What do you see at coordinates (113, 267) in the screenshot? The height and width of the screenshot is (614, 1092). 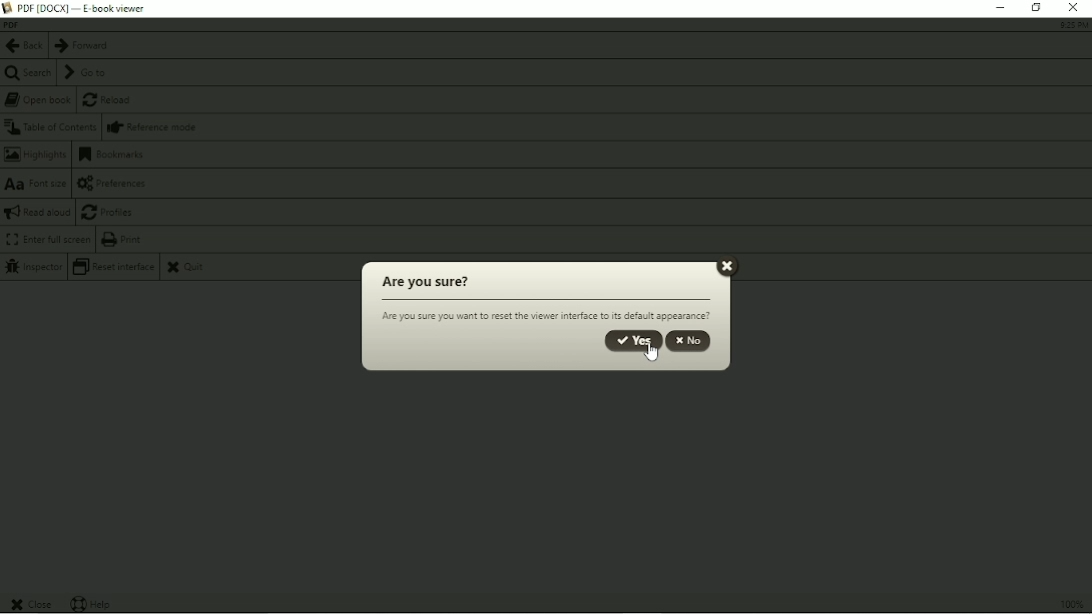 I see `Reset interface` at bounding box center [113, 267].